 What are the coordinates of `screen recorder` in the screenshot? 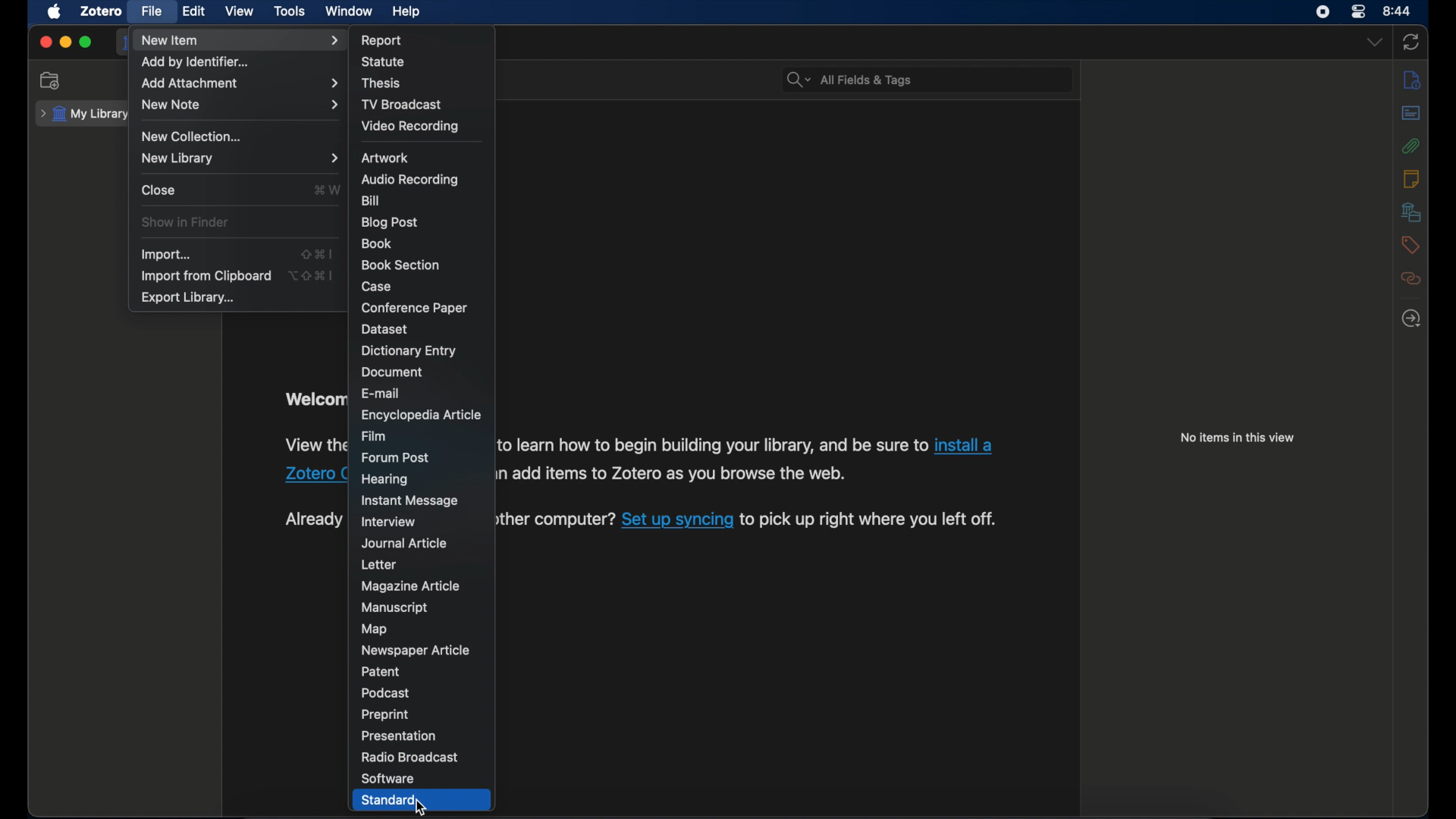 It's located at (1323, 12).